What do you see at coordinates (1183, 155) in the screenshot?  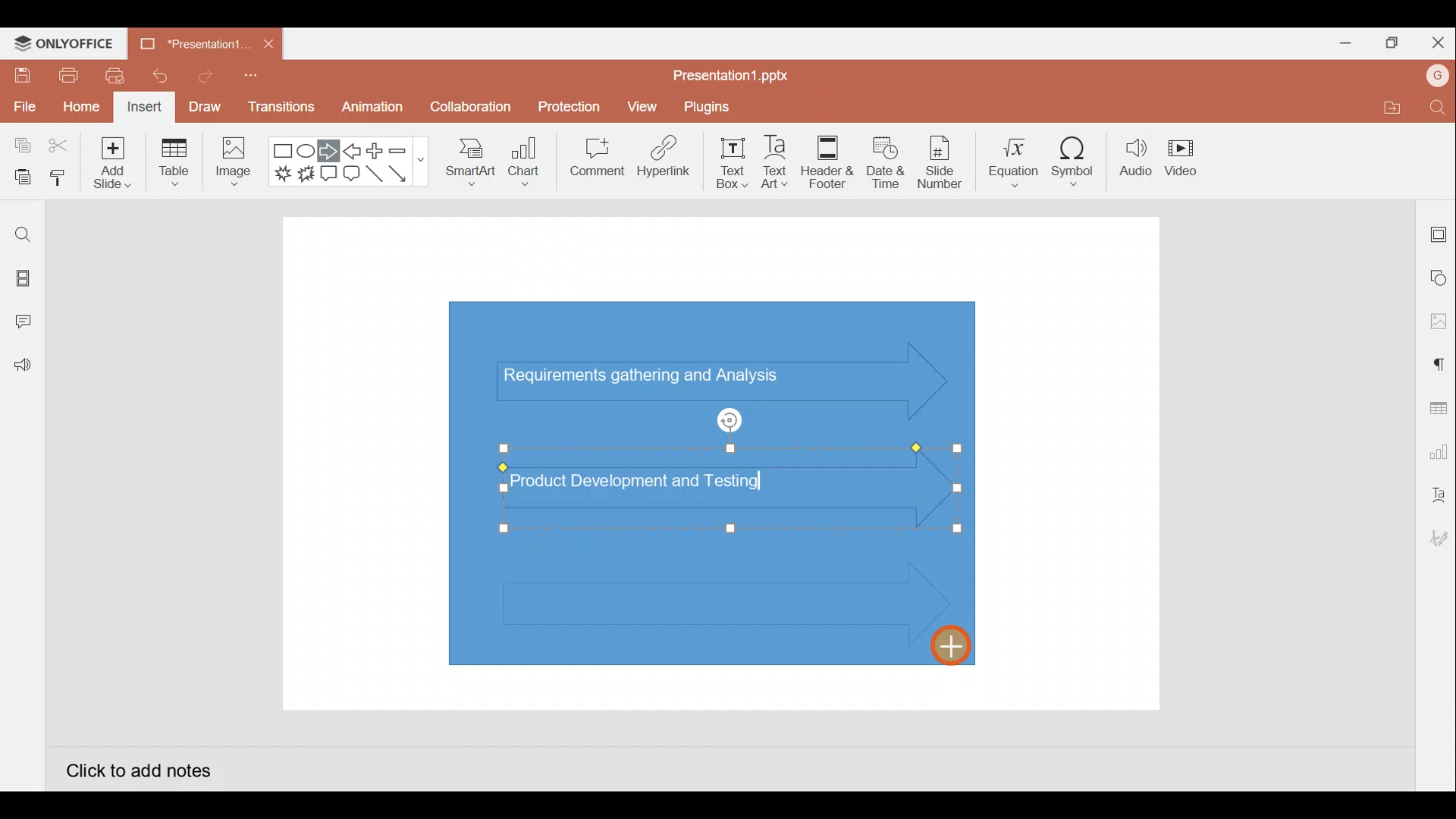 I see `Video` at bounding box center [1183, 155].